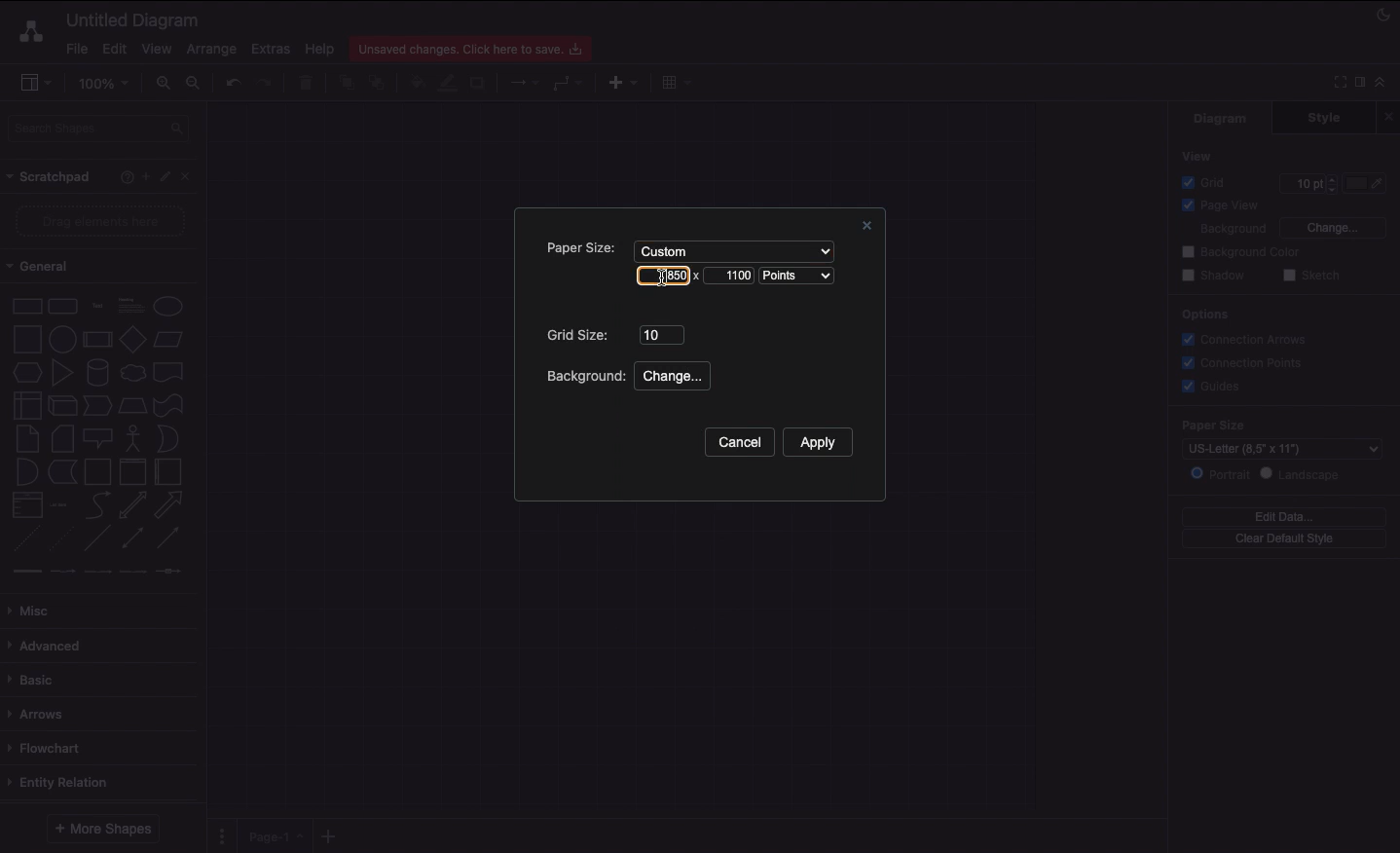 The width and height of the screenshot is (1400, 853). I want to click on Dashed line, so click(23, 541).